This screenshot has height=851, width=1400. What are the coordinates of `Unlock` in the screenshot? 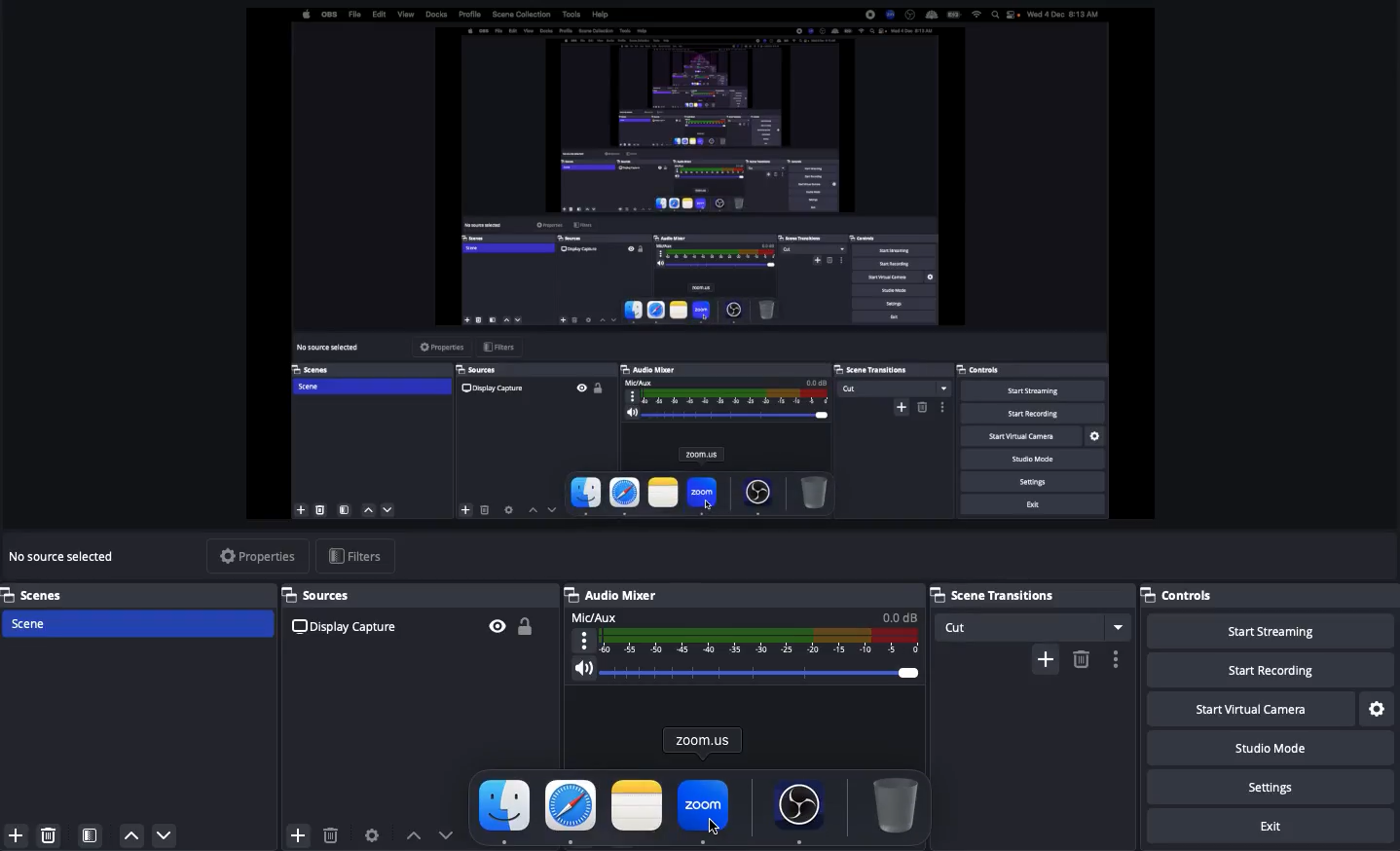 It's located at (530, 622).